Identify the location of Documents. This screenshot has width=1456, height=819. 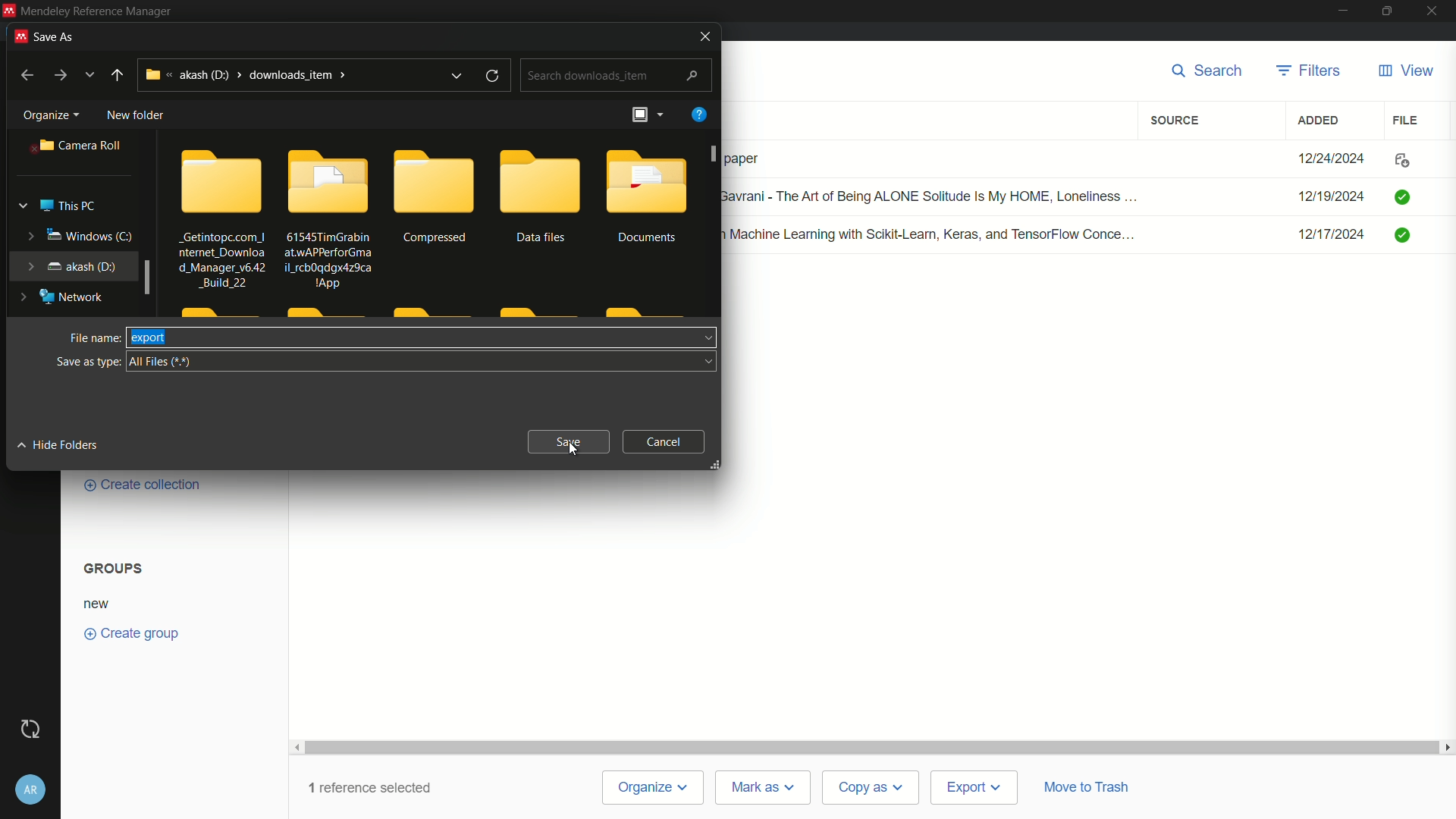
(649, 238).